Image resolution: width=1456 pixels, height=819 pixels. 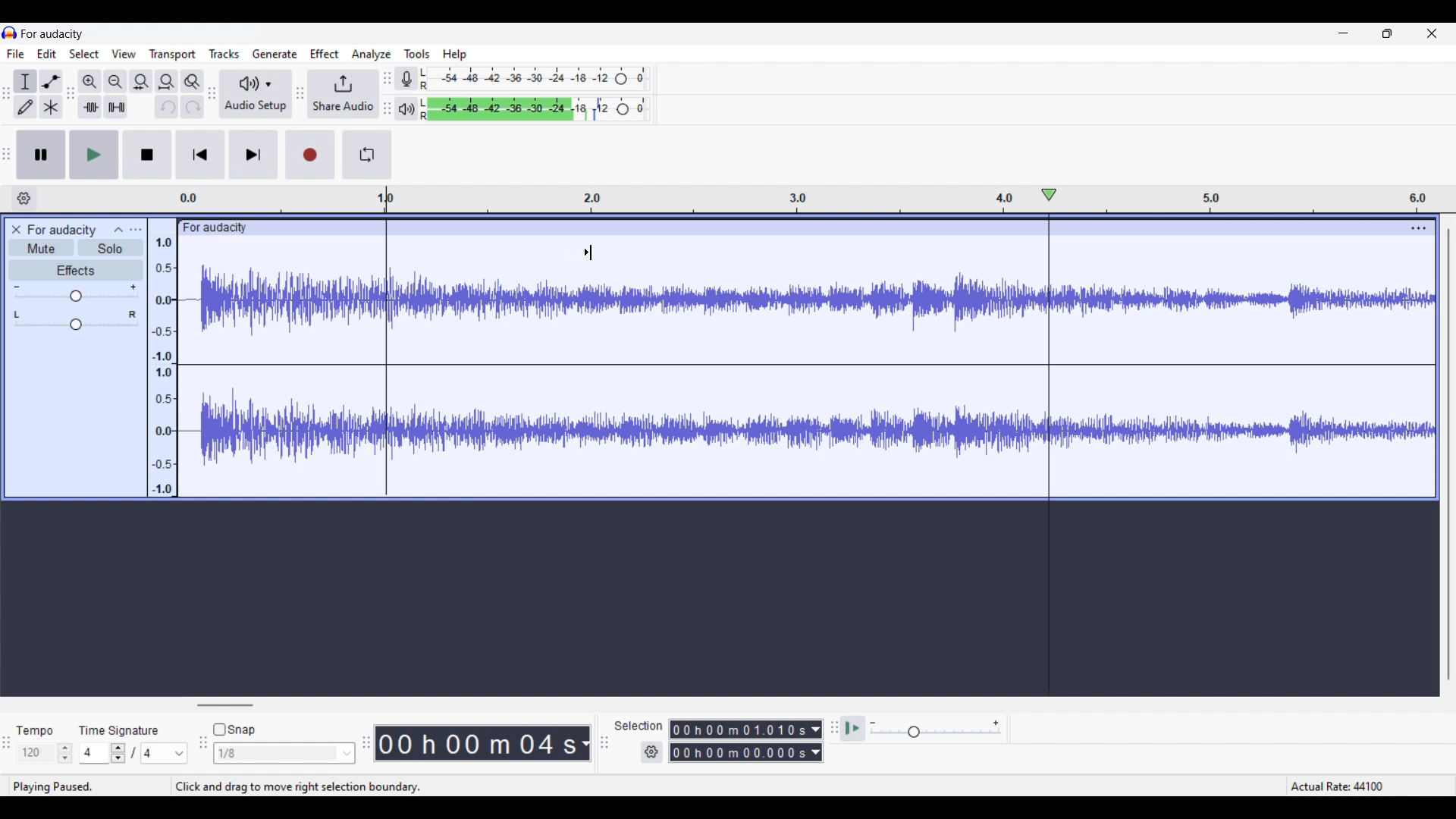 What do you see at coordinates (224, 53) in the screenshot?
I see `Tracks menu` at bounding box center [224, 53].